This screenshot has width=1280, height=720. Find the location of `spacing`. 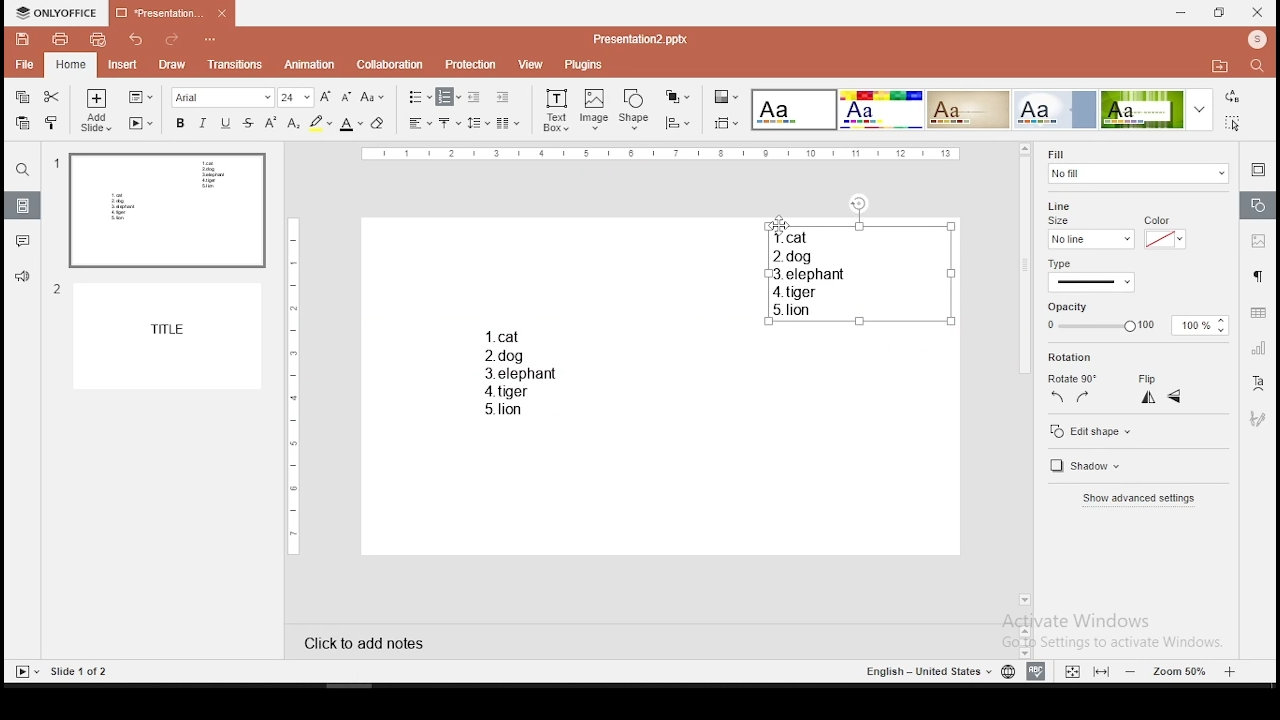

spacing is located at coordinates (479, 122).